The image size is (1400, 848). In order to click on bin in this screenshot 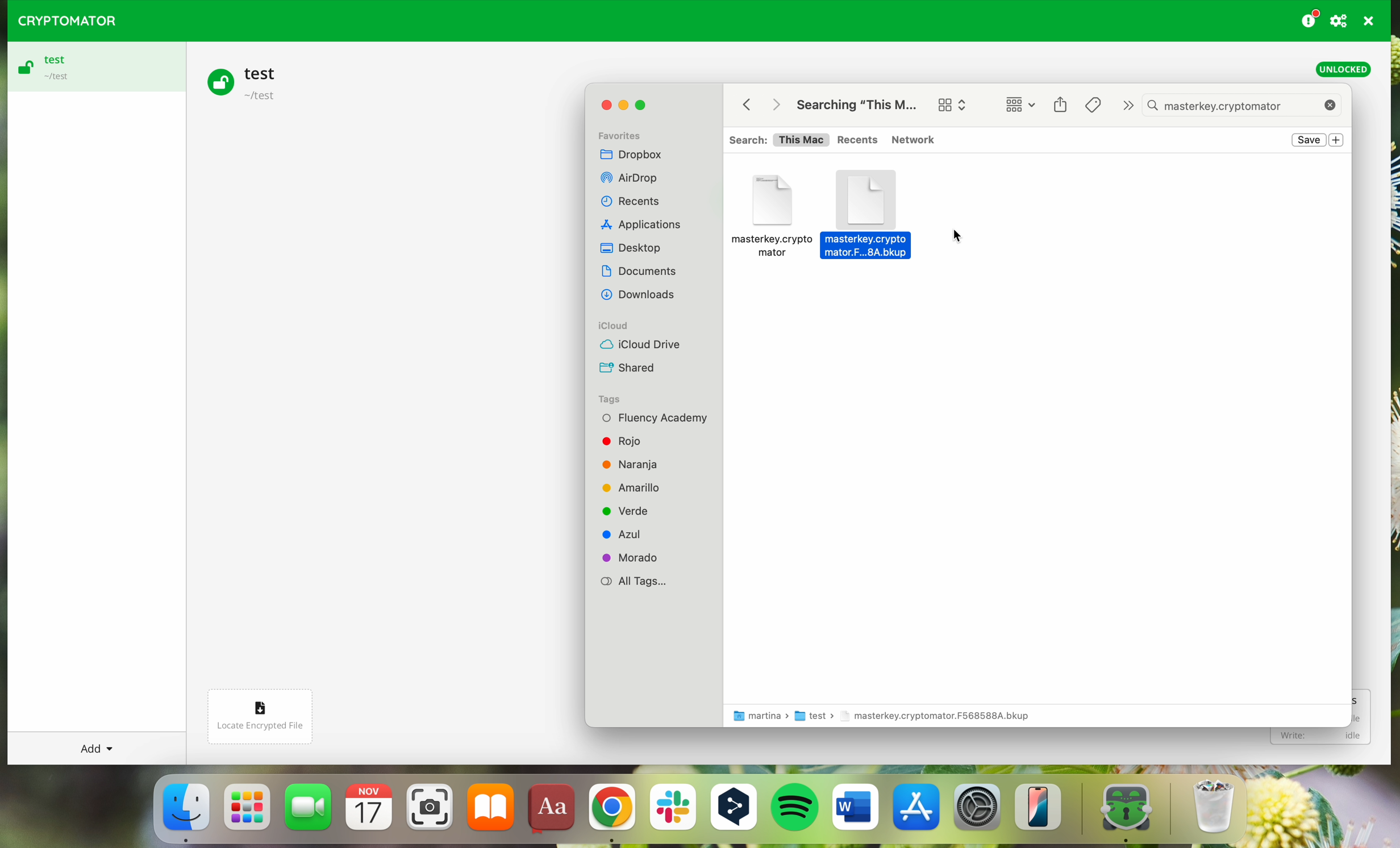, I will do `click(1200, 808)`.